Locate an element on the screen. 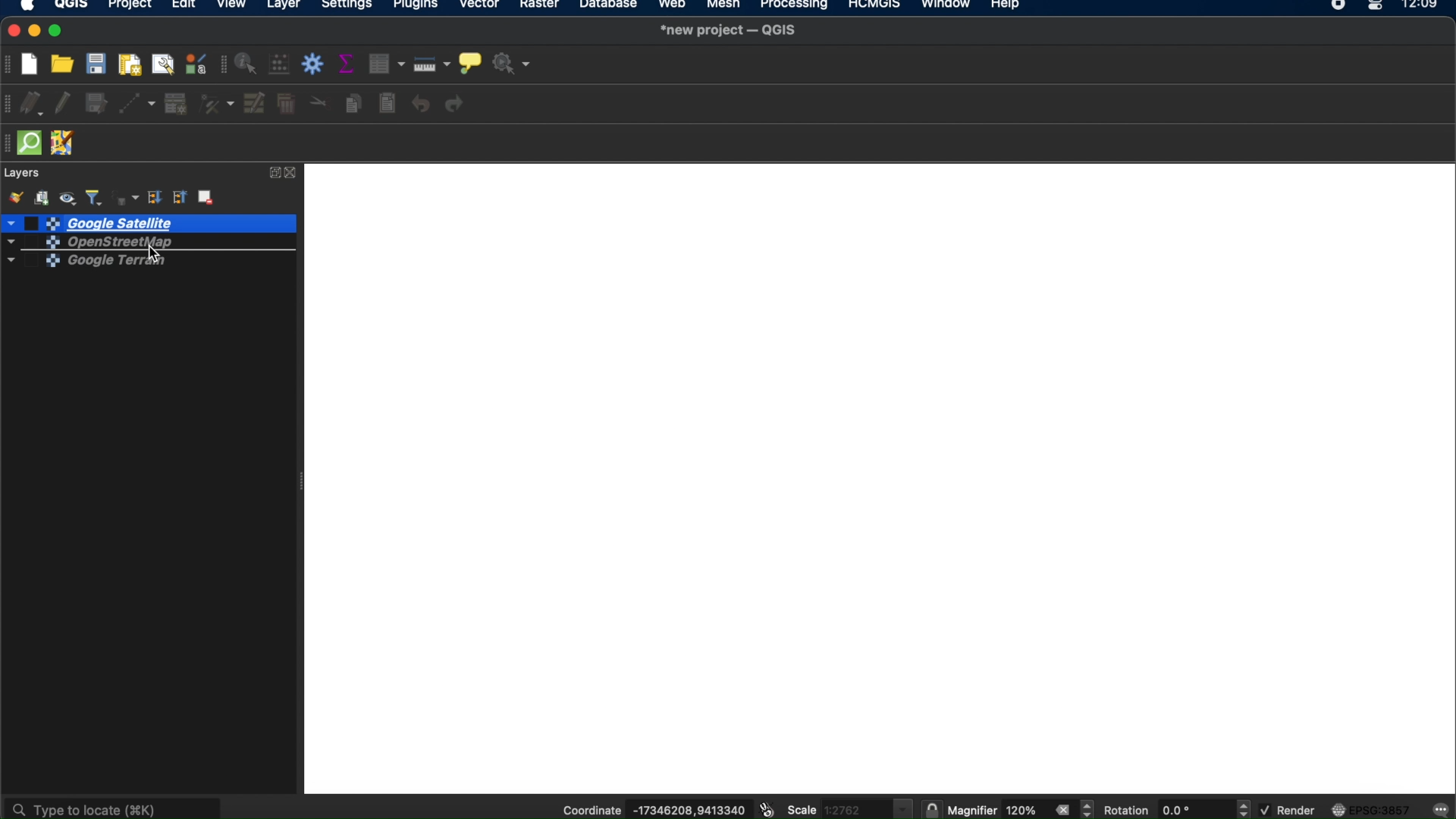 The image size is (1456, 819). no action selected is located at coordinates (511, 64).